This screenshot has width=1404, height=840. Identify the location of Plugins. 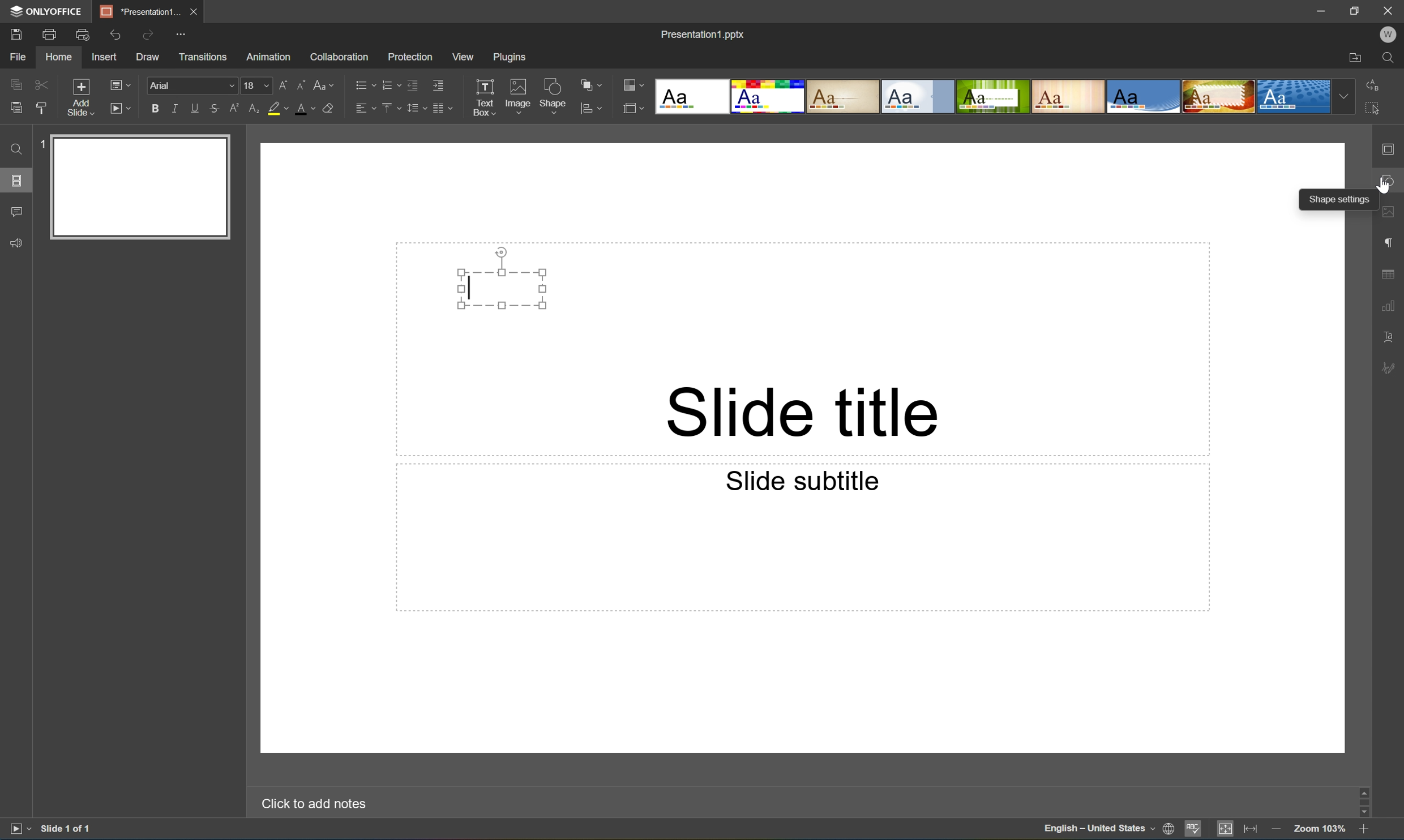
(512, 57).